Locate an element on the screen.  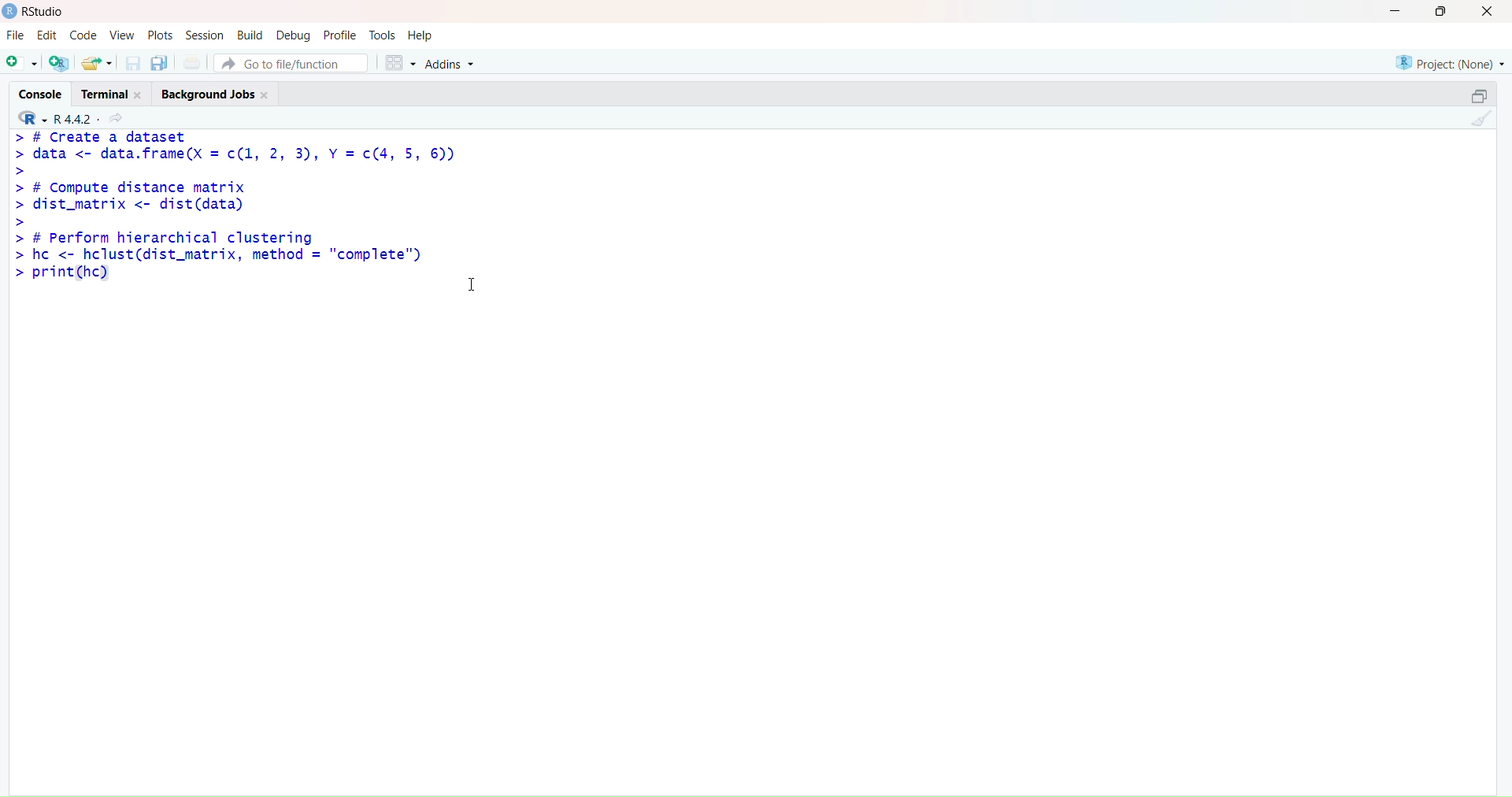
> # Create a dataset
> data <- data.frame(X = c(1, 2, 3), Y = c(4, 5, 6))
>
> # Compute distance matrix
> dist_matrix <- dist(data)
>
> # Perform hierarchical clustering
> hc <- hclust(dist_matrix, method = "complete")
>|
I is located at coordinates (250, 225).